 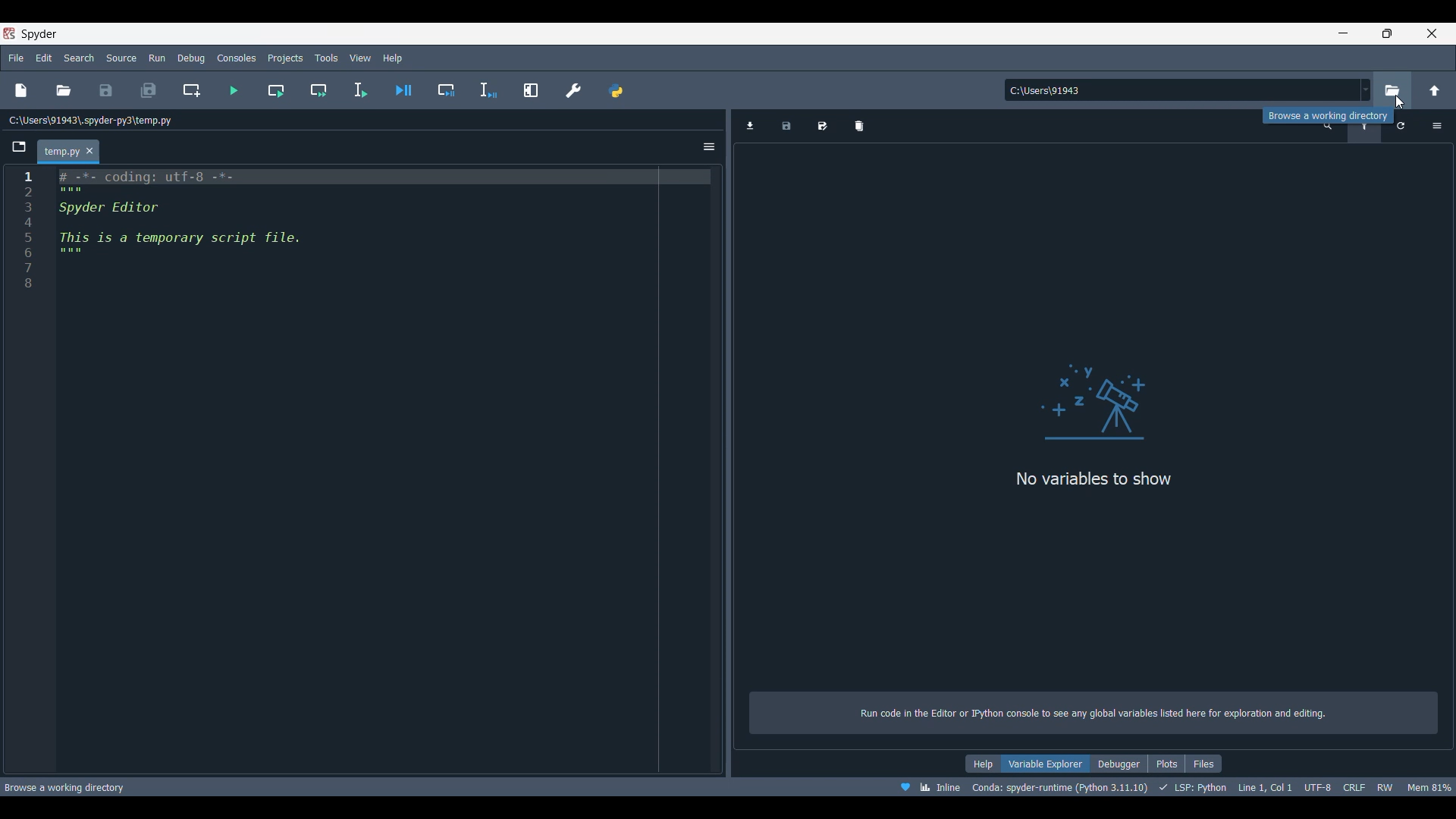 What do you see at coordinates (1119, 764) in the screenshot?
I see `Debugger` at bounding box center [1119, 764].